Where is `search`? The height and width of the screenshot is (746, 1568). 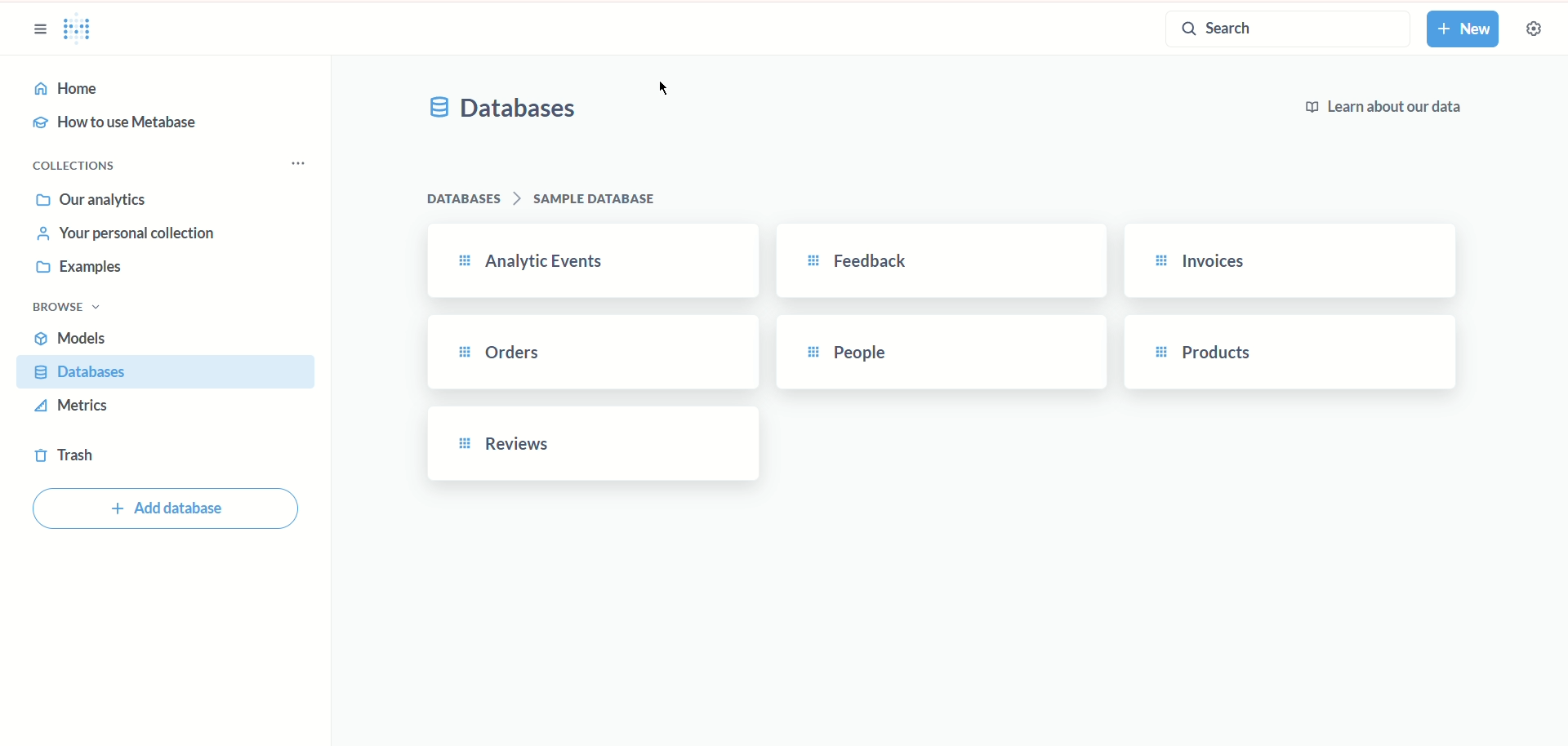 search is located at coordinates (1285, 31).